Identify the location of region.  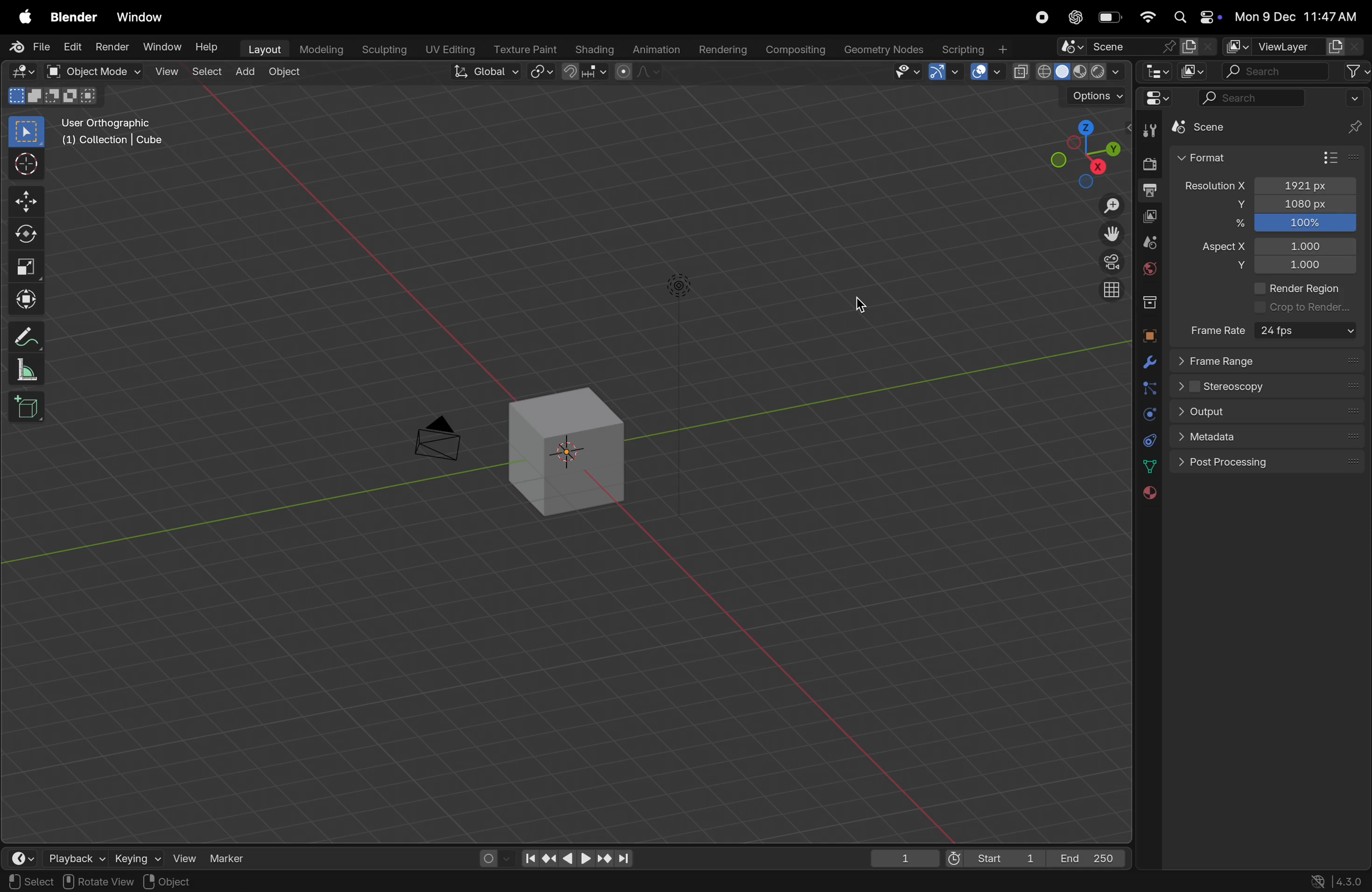
(116, 882).